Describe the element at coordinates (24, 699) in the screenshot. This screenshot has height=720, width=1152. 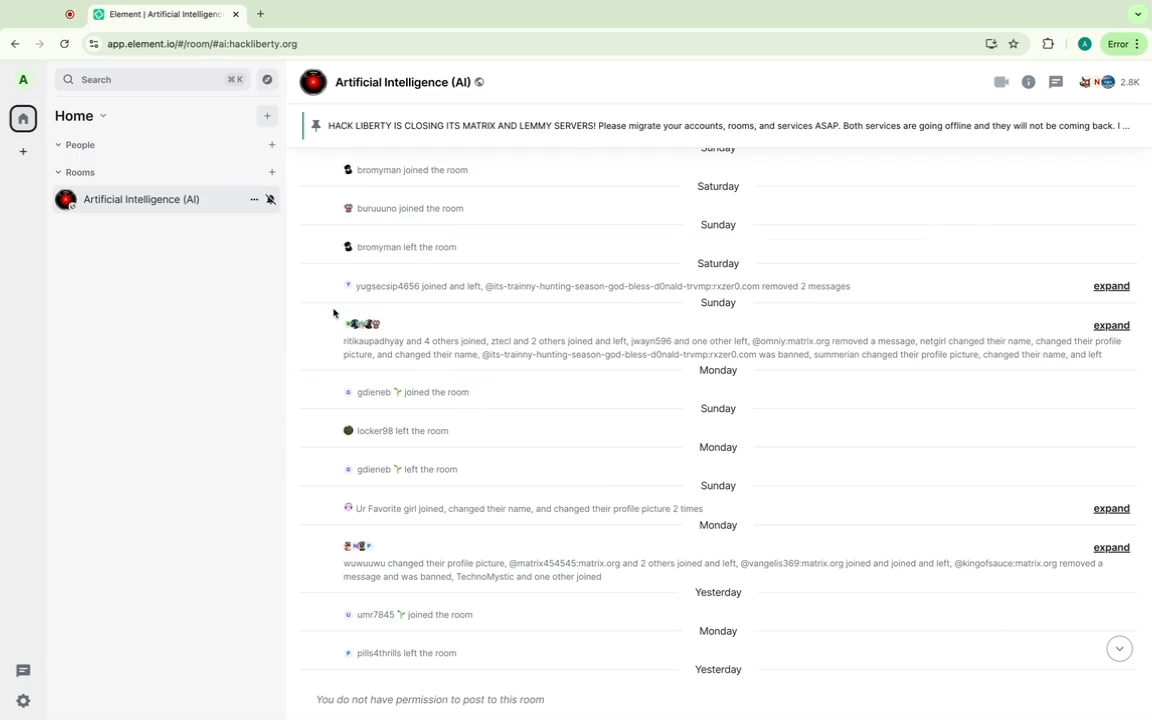
I see `Quick settings` at that location.